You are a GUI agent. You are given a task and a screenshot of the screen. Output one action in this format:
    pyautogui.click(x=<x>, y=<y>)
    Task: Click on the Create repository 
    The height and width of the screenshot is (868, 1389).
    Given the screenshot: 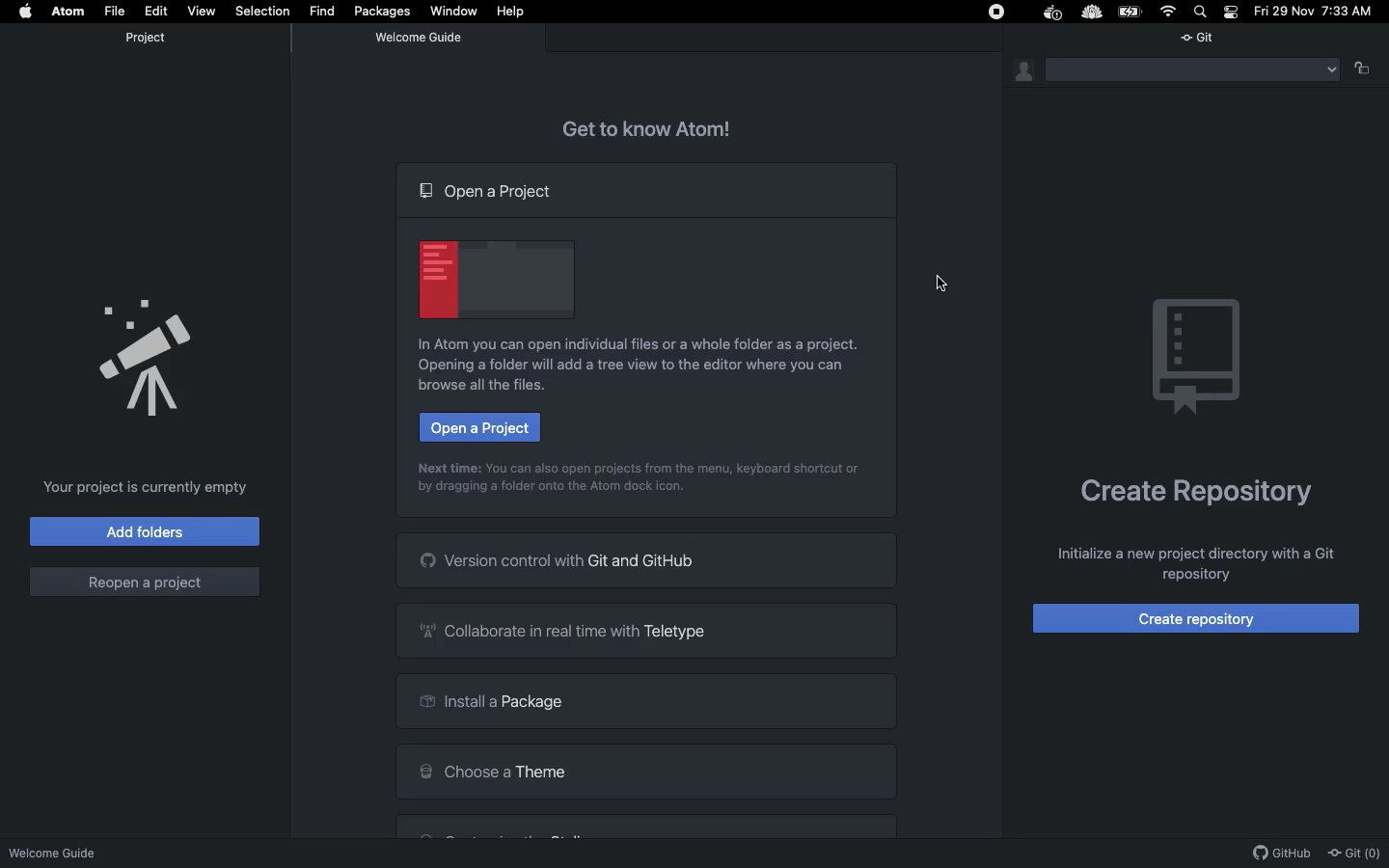 What is the action you would take?
    pyautogui.click(x=1198, y=493)
    